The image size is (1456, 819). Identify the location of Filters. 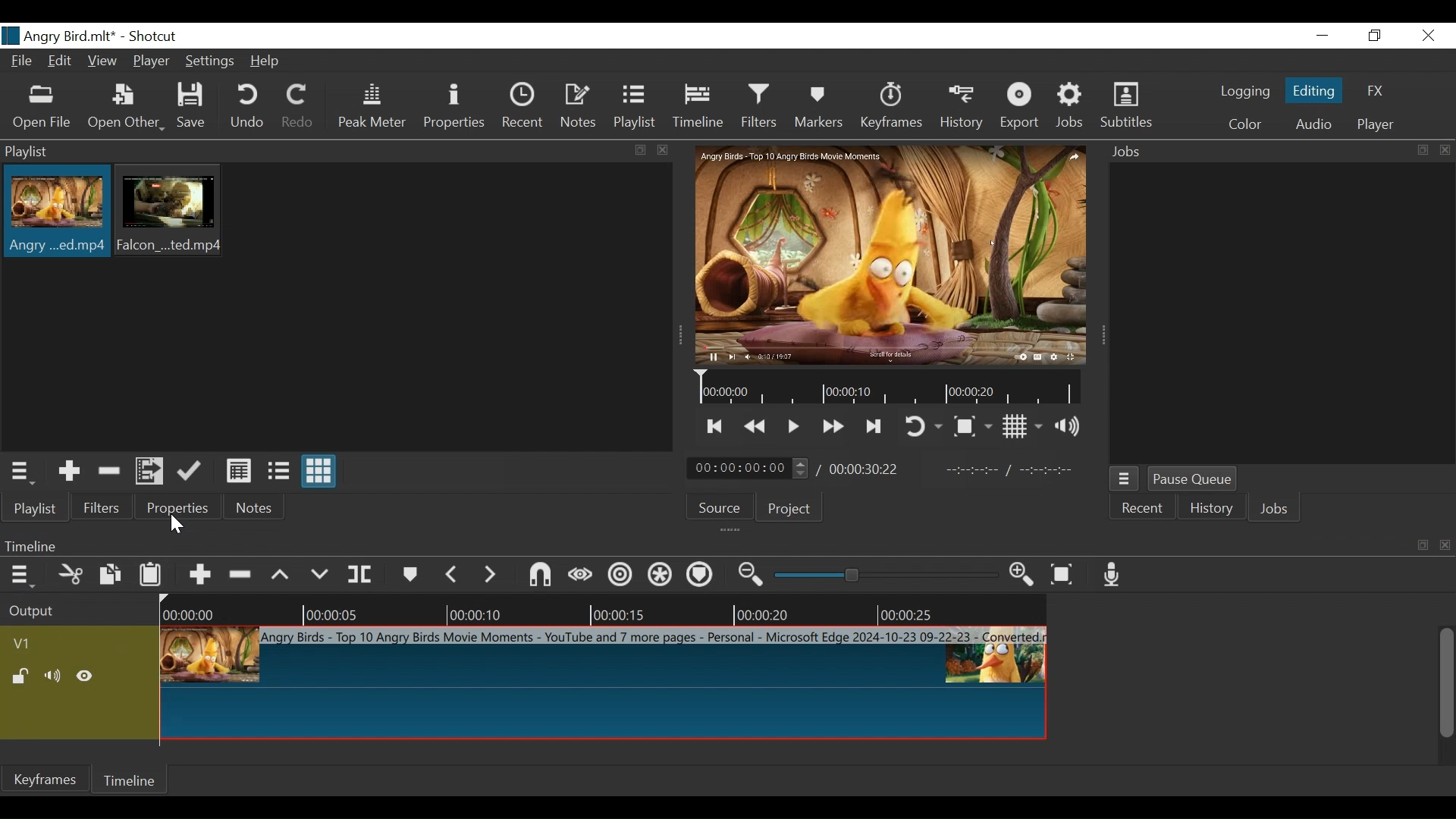
(101, 510).